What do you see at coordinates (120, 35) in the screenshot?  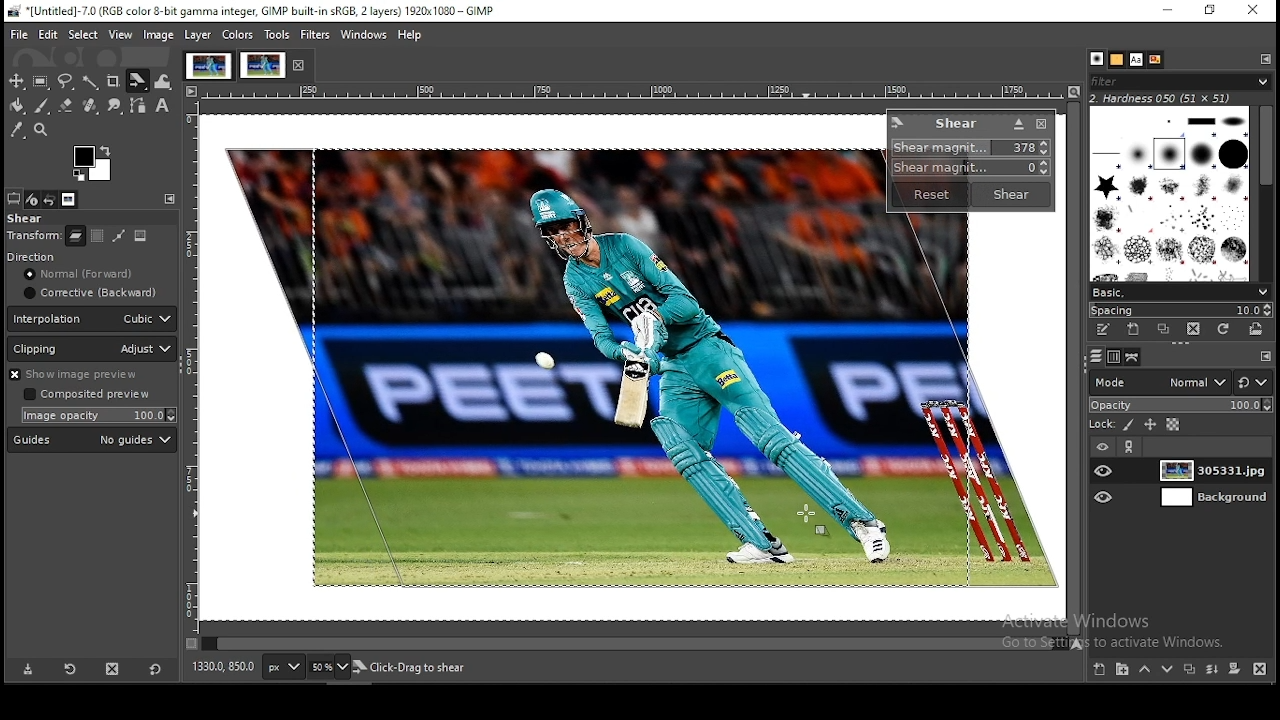 I see `view` at bounding box center [120, 35].